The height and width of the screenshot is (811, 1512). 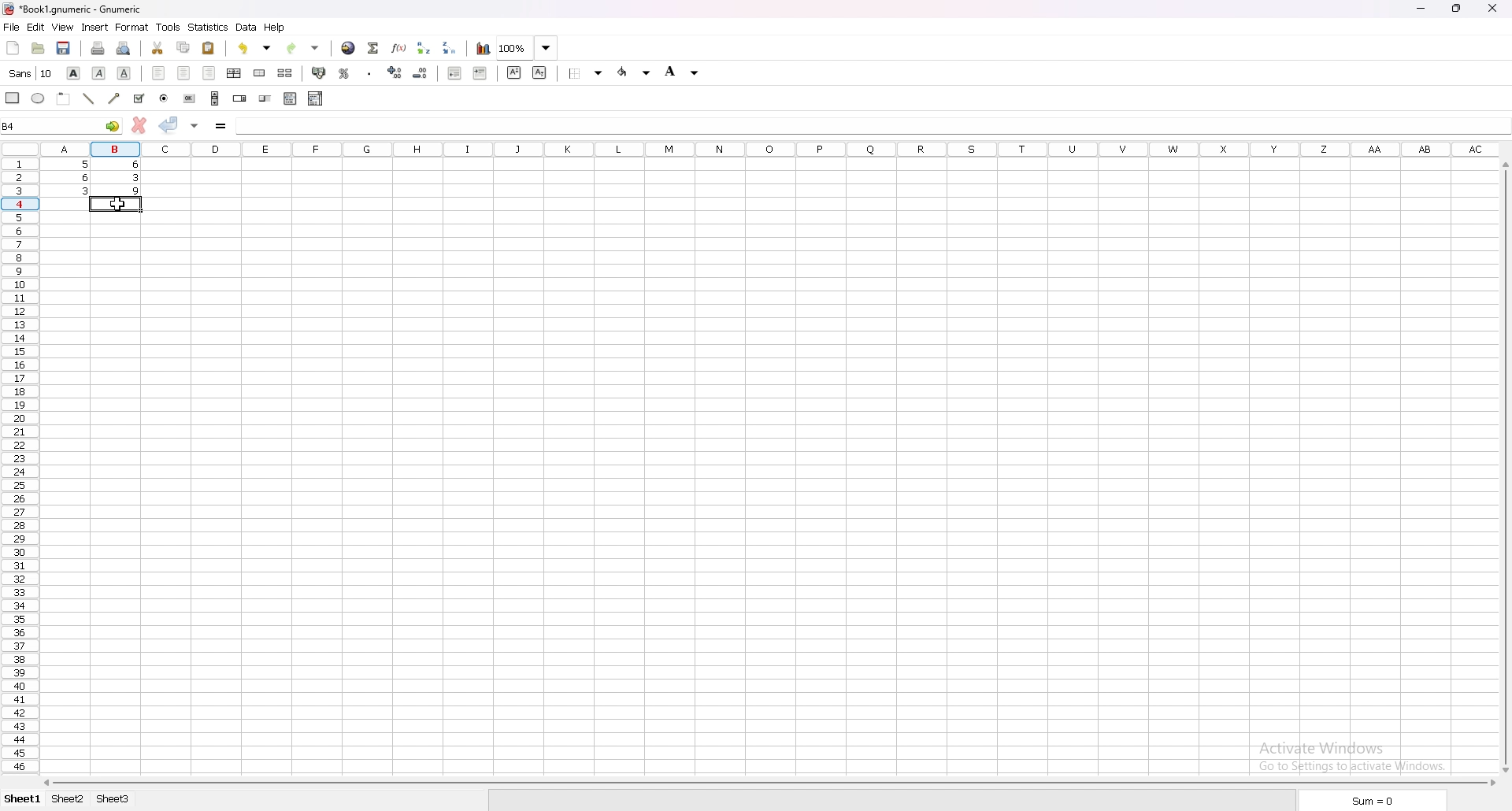 What do you see at coordinates (685, 72) in the screenshot?
I see `foreground` at bounding box center [685, 72].